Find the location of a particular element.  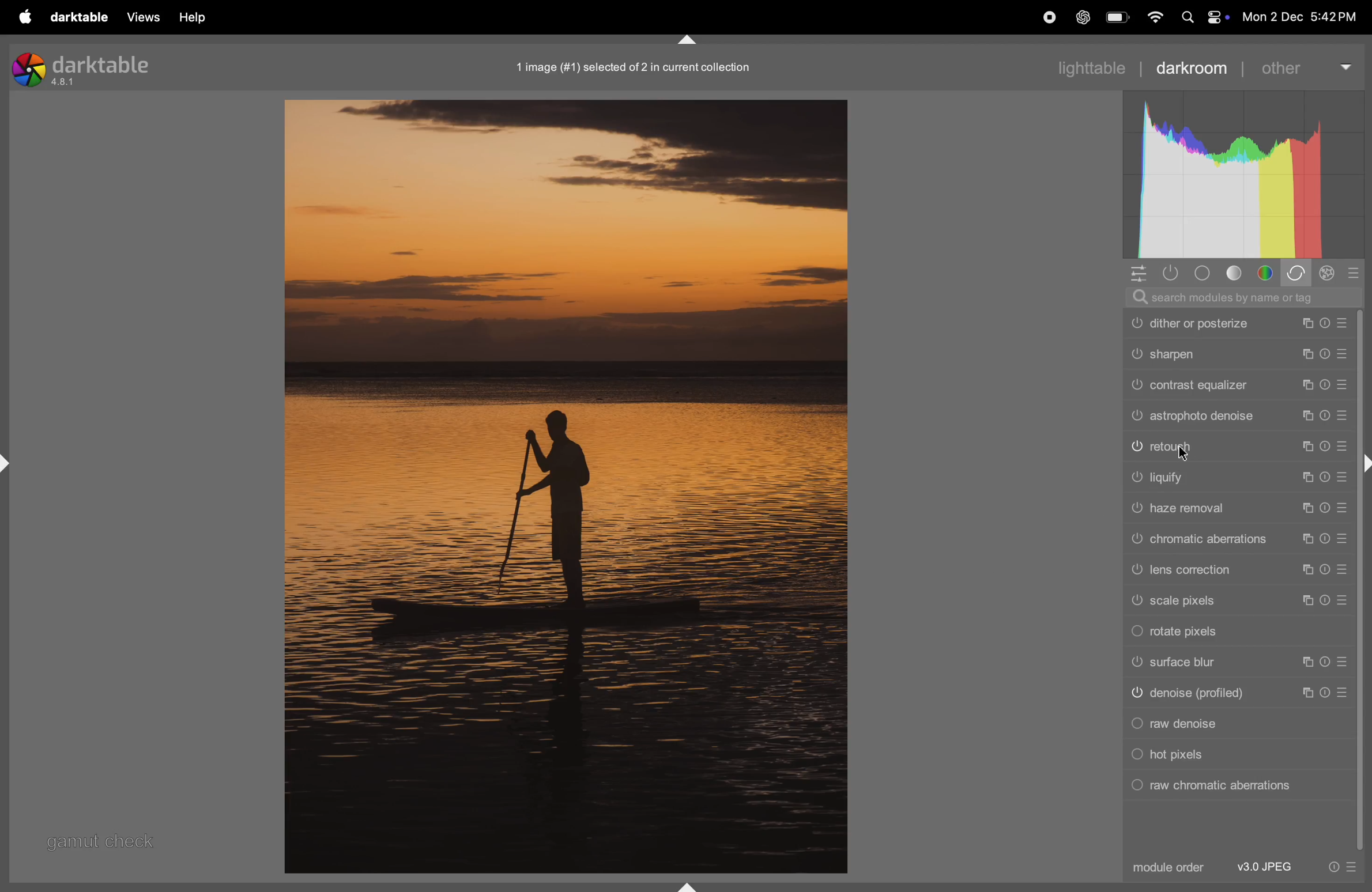

chromatic aberrations is located at coordinates (1235, 539).